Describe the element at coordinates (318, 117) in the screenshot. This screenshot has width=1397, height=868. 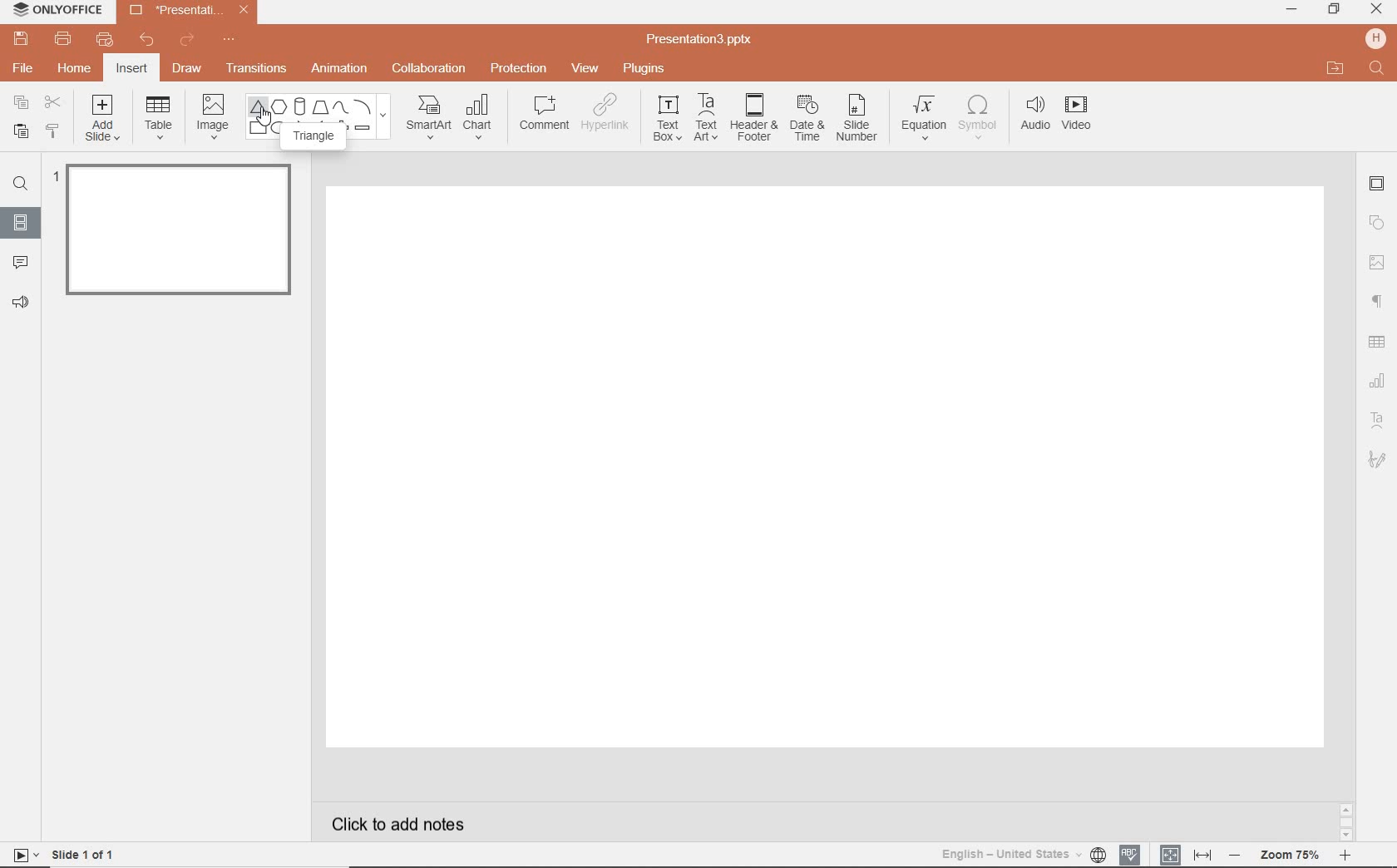
I see `SHAPES` at that location.